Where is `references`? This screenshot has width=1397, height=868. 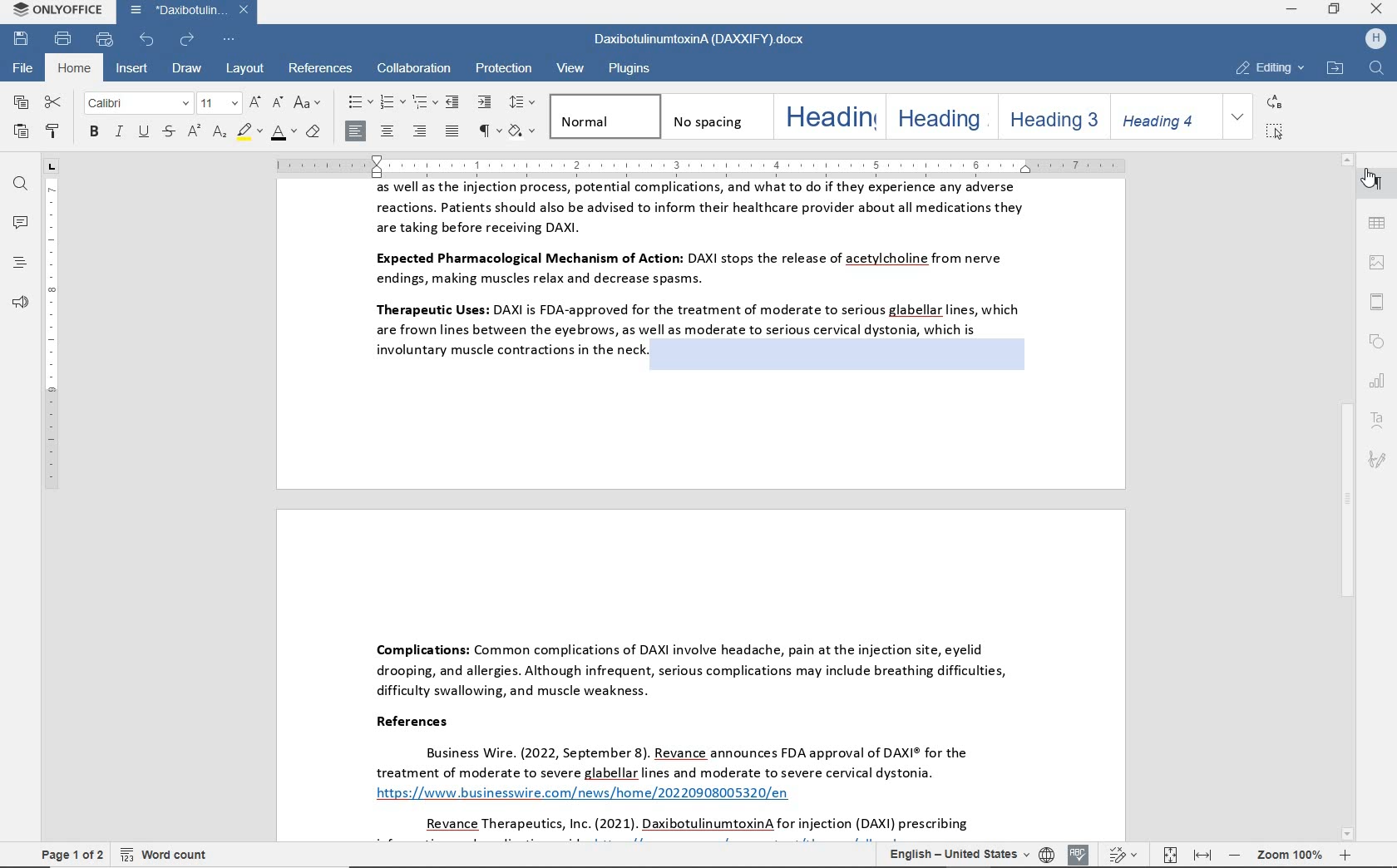 references is located at coordinates (323, 69).